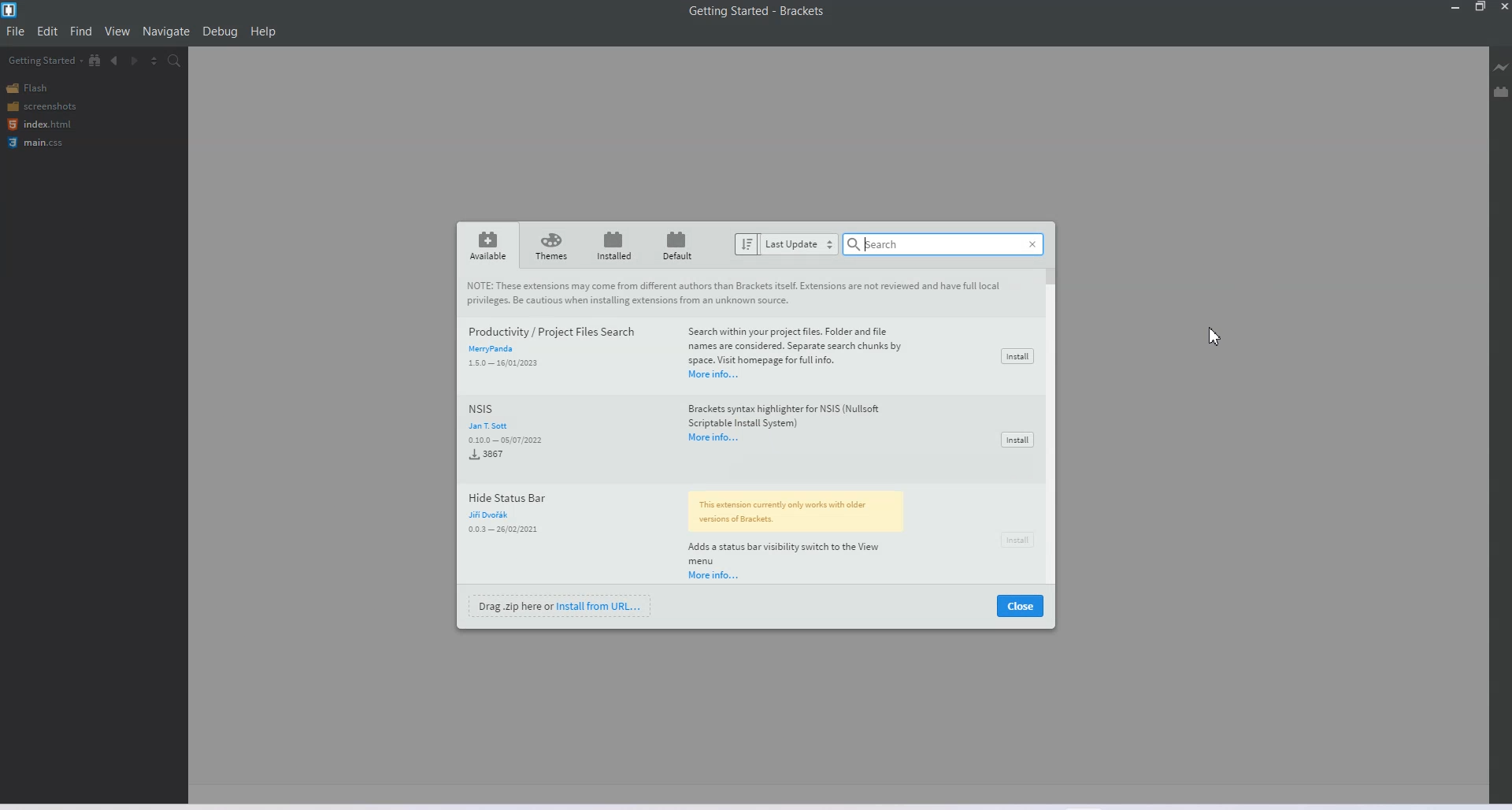 The image size is (1512, 810). Describe the element at coordinates (744, 293) in the screenshot. I see `note about extension to users` at that location.